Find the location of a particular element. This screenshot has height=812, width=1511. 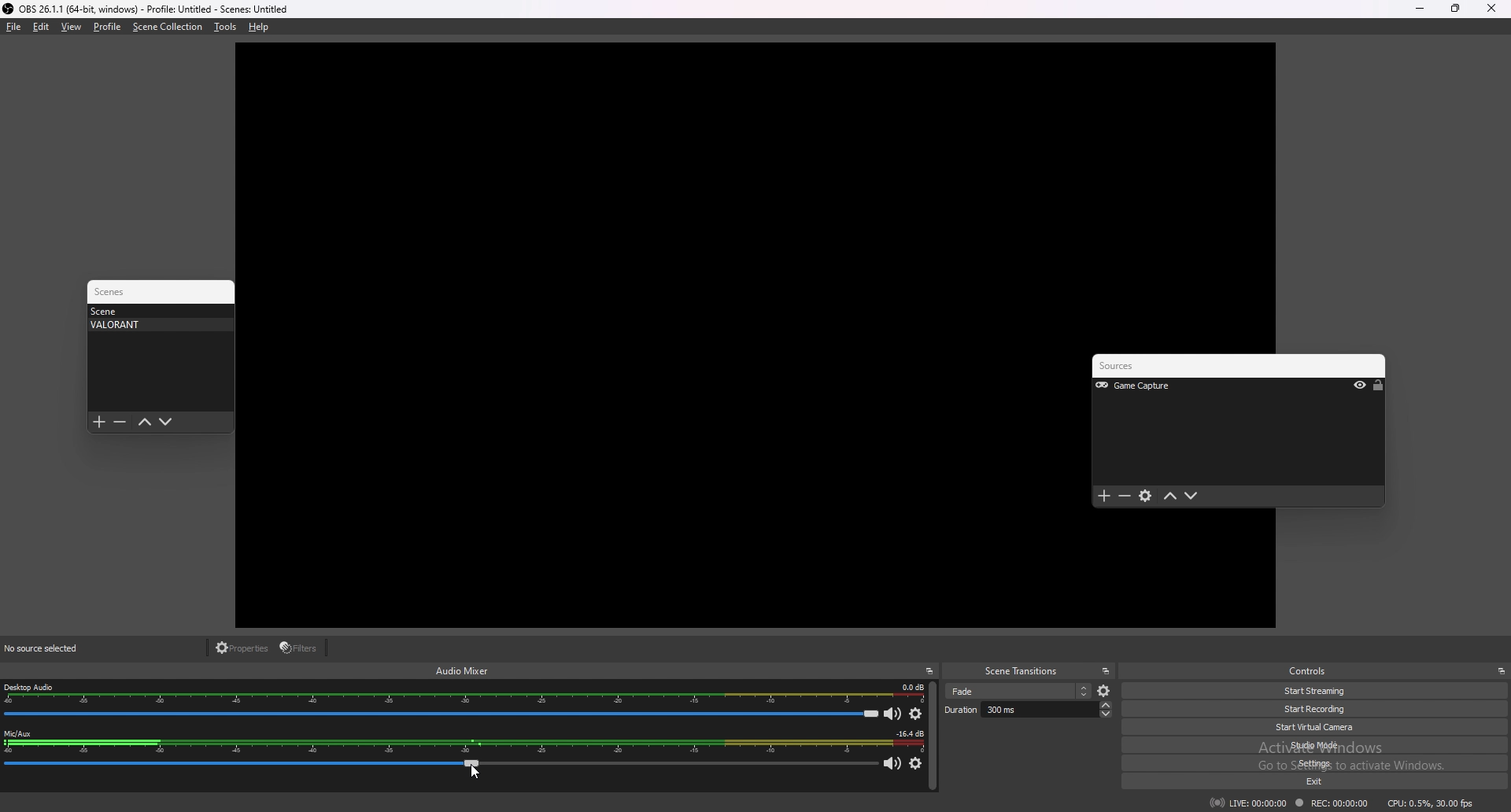

mic/aux mute is located at coordinates (894, 765).